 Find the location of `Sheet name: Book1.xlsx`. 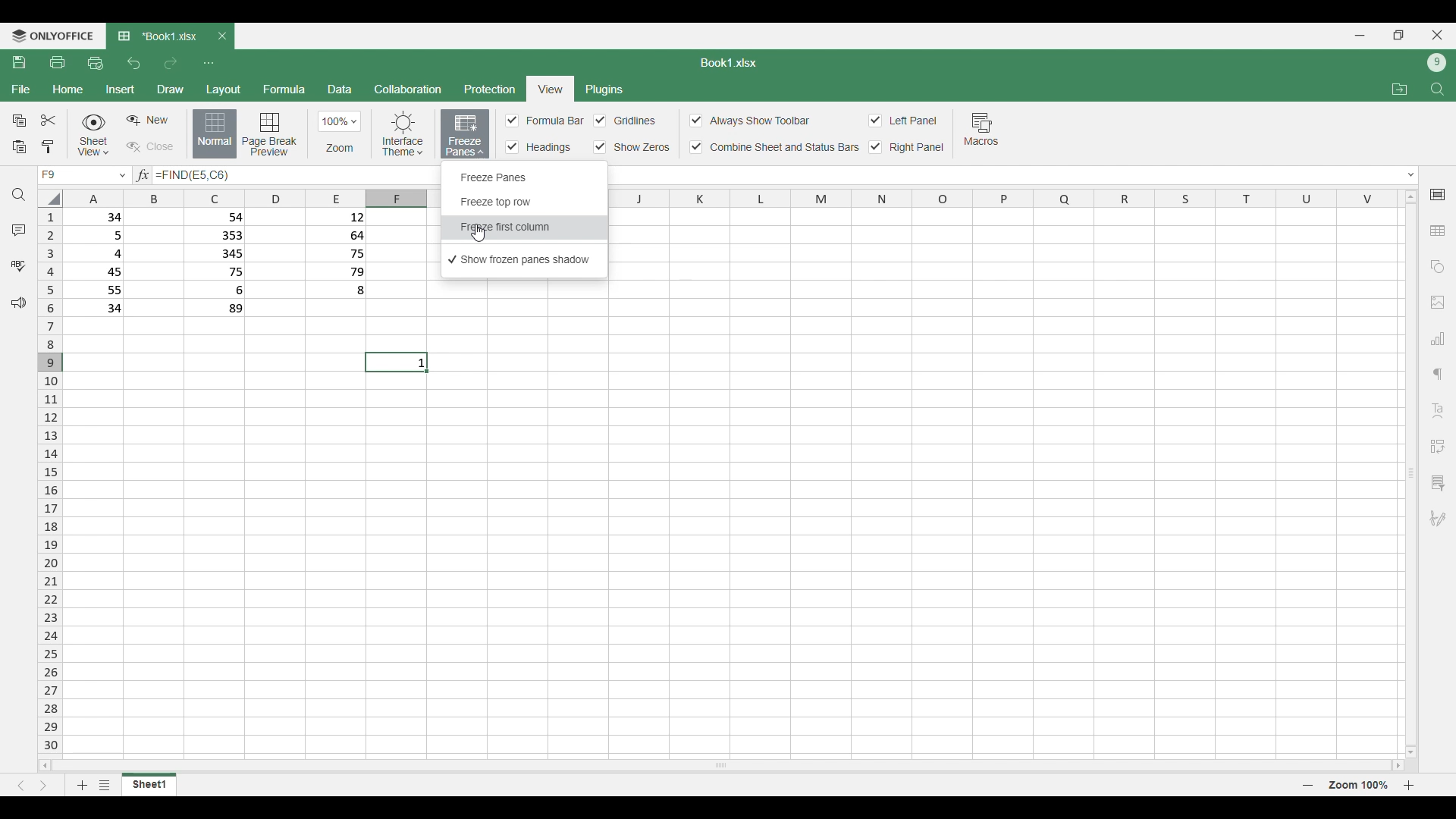

Sheet name: Book1.xlsx is located at coordinates (729, 64).